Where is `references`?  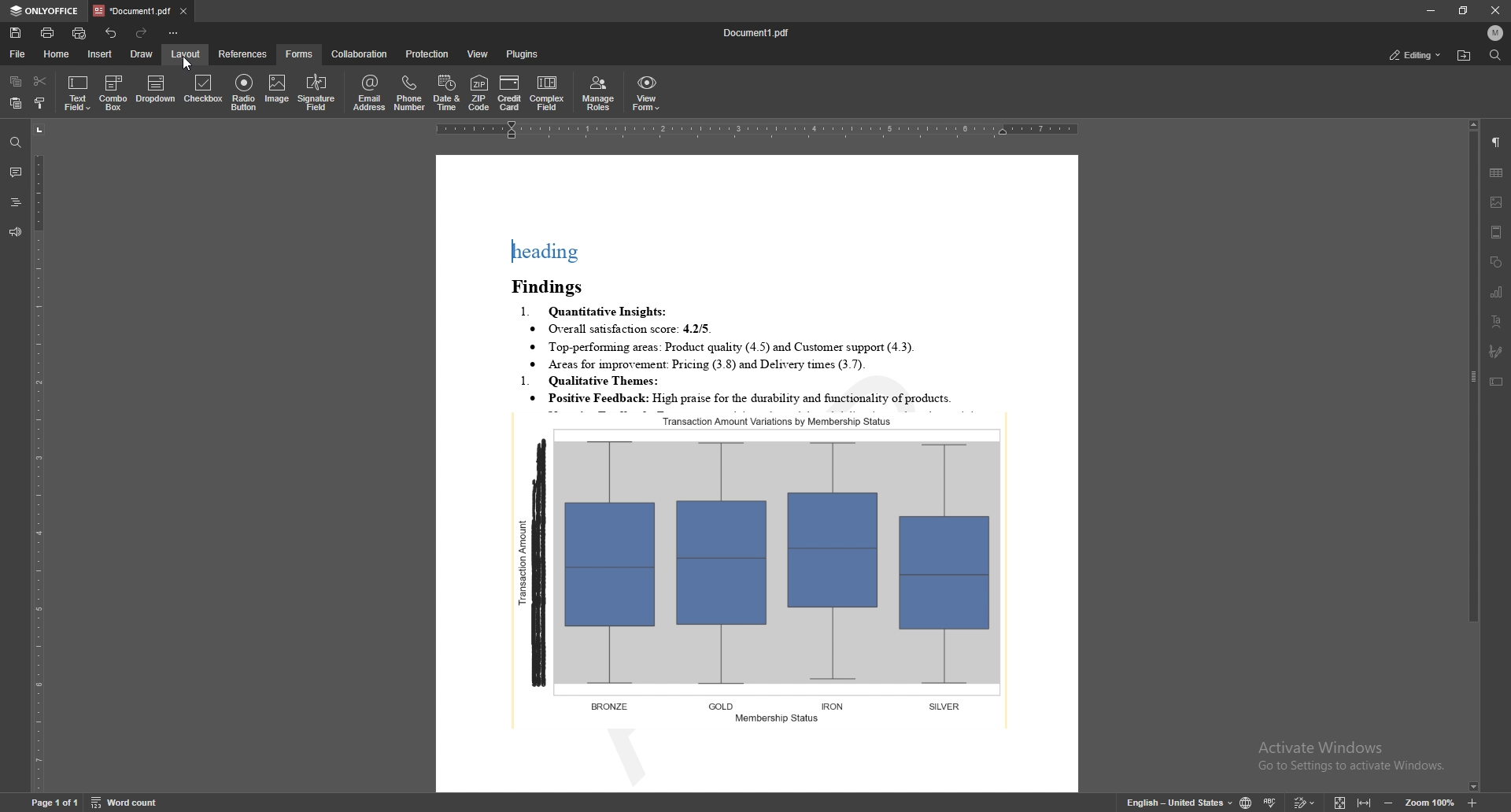
references is located at coordinates (244, 54).